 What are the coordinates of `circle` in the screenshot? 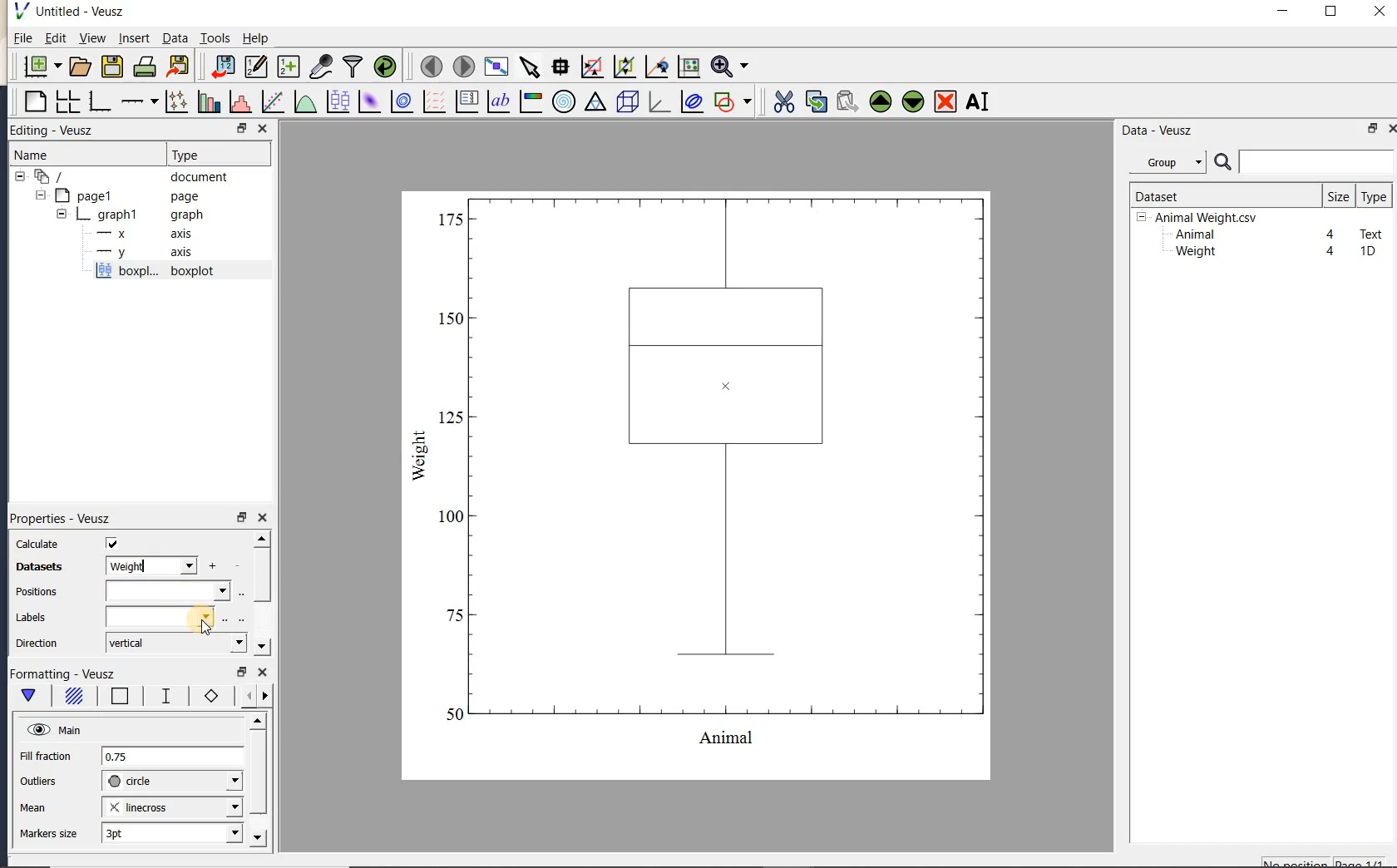 It's located at (172, 782).